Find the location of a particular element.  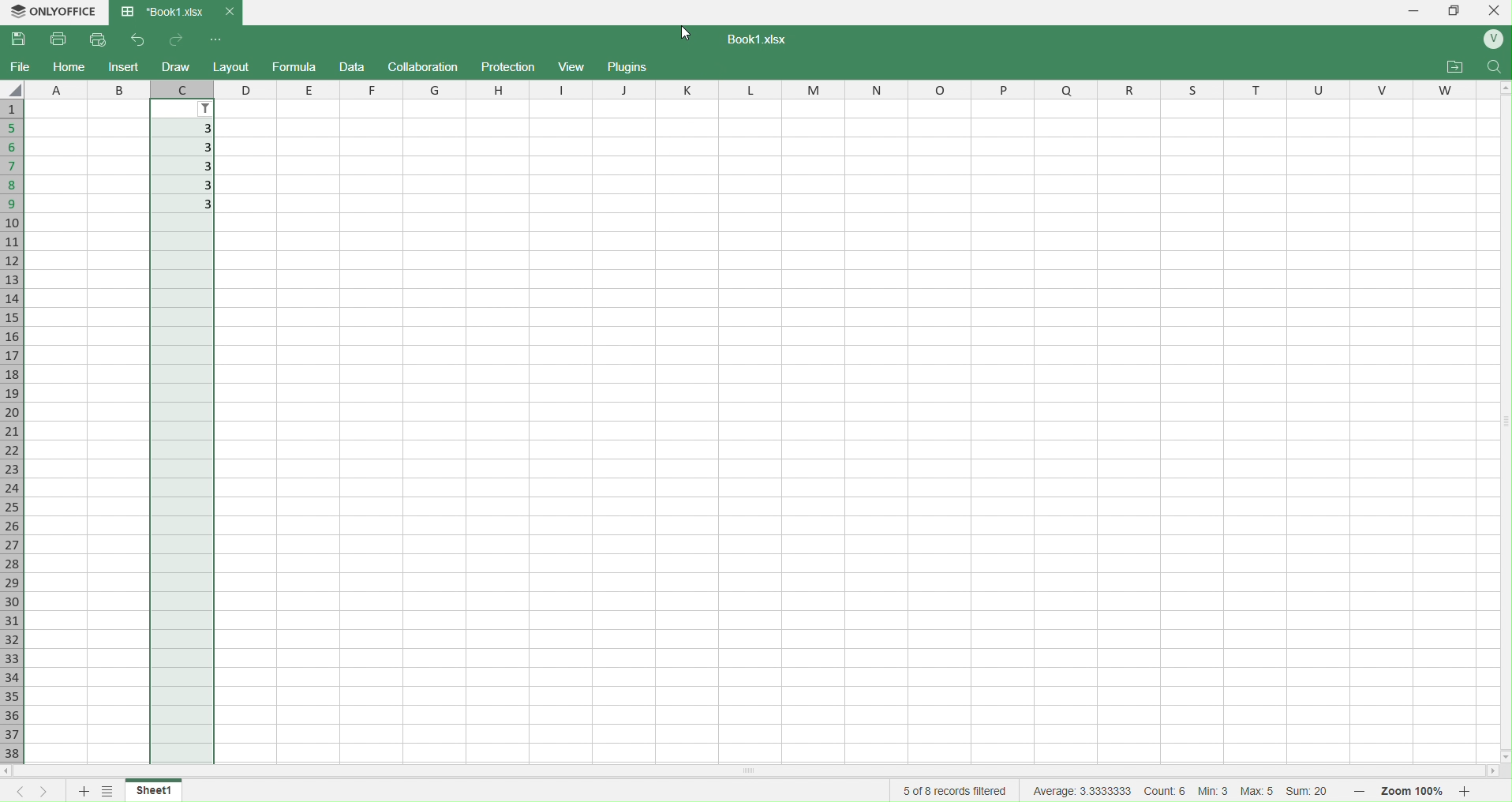

Open File location is located at coordinates (1455, 67).